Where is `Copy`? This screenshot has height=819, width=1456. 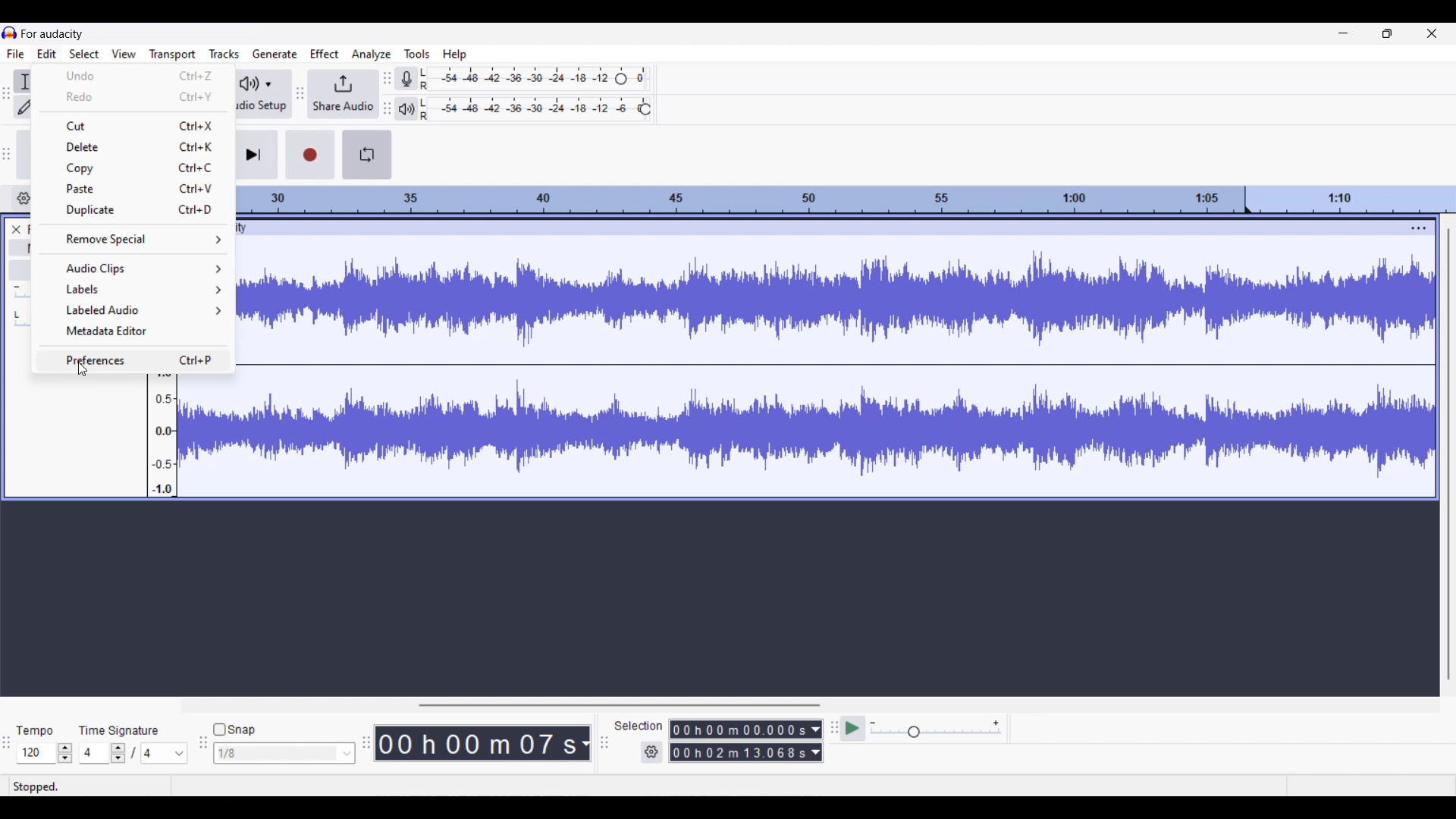
Copy is located at coordinates (135, 168).